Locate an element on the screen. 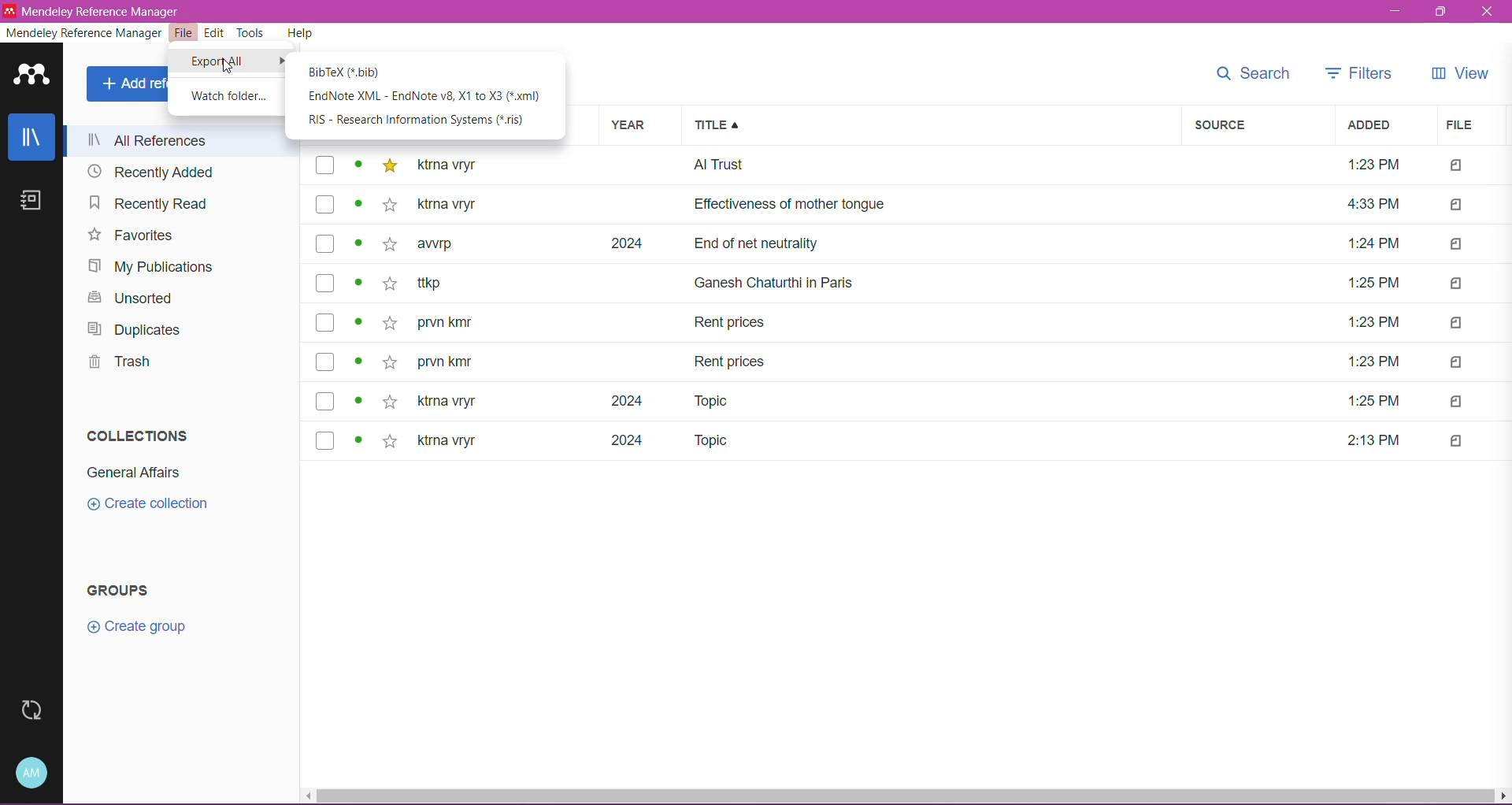 This screenshot has height=805, width=1512. View is located at coordinates (1461, 74).